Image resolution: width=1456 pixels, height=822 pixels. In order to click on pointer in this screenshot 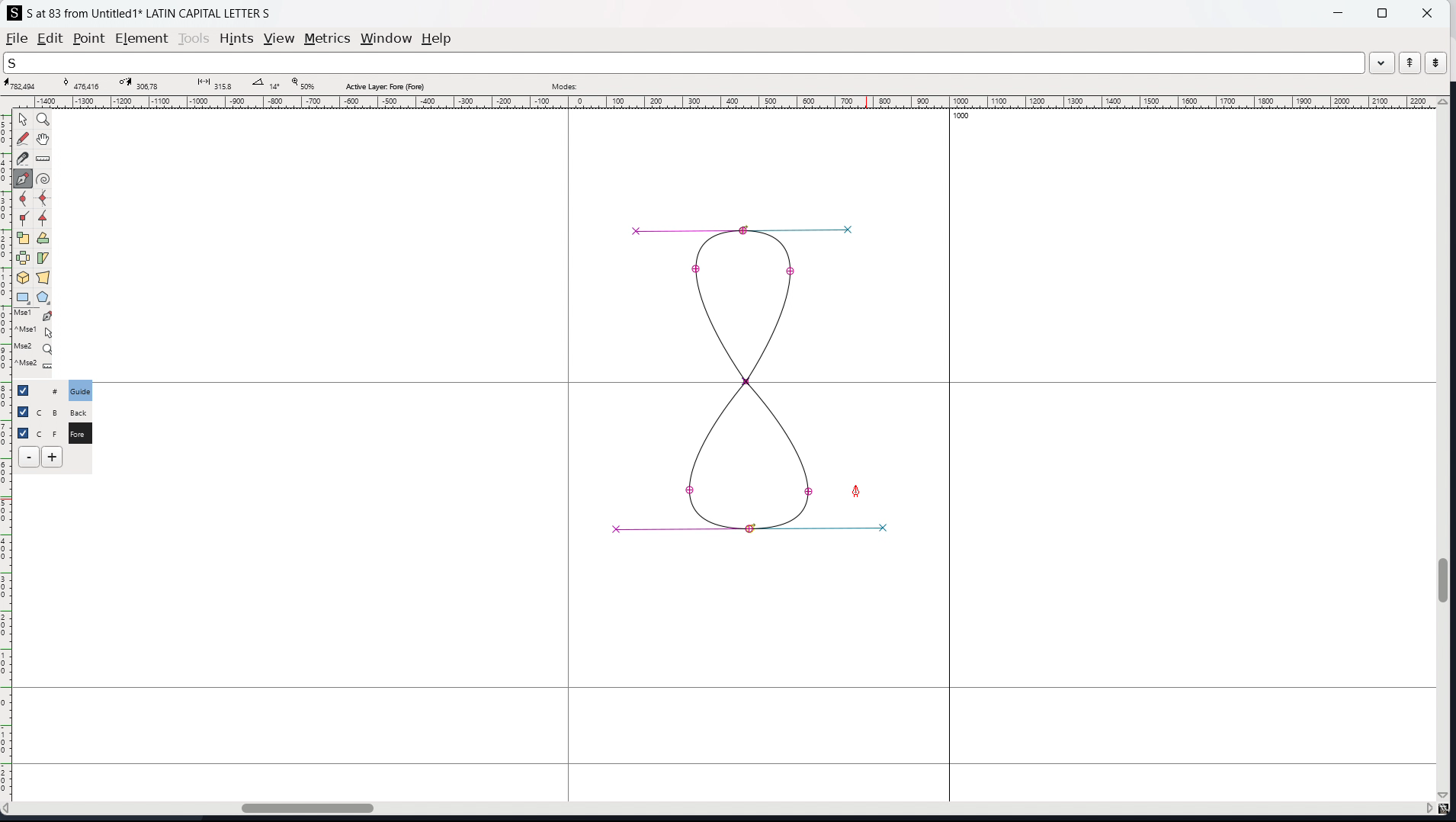, I will do `click(24, 119)`.